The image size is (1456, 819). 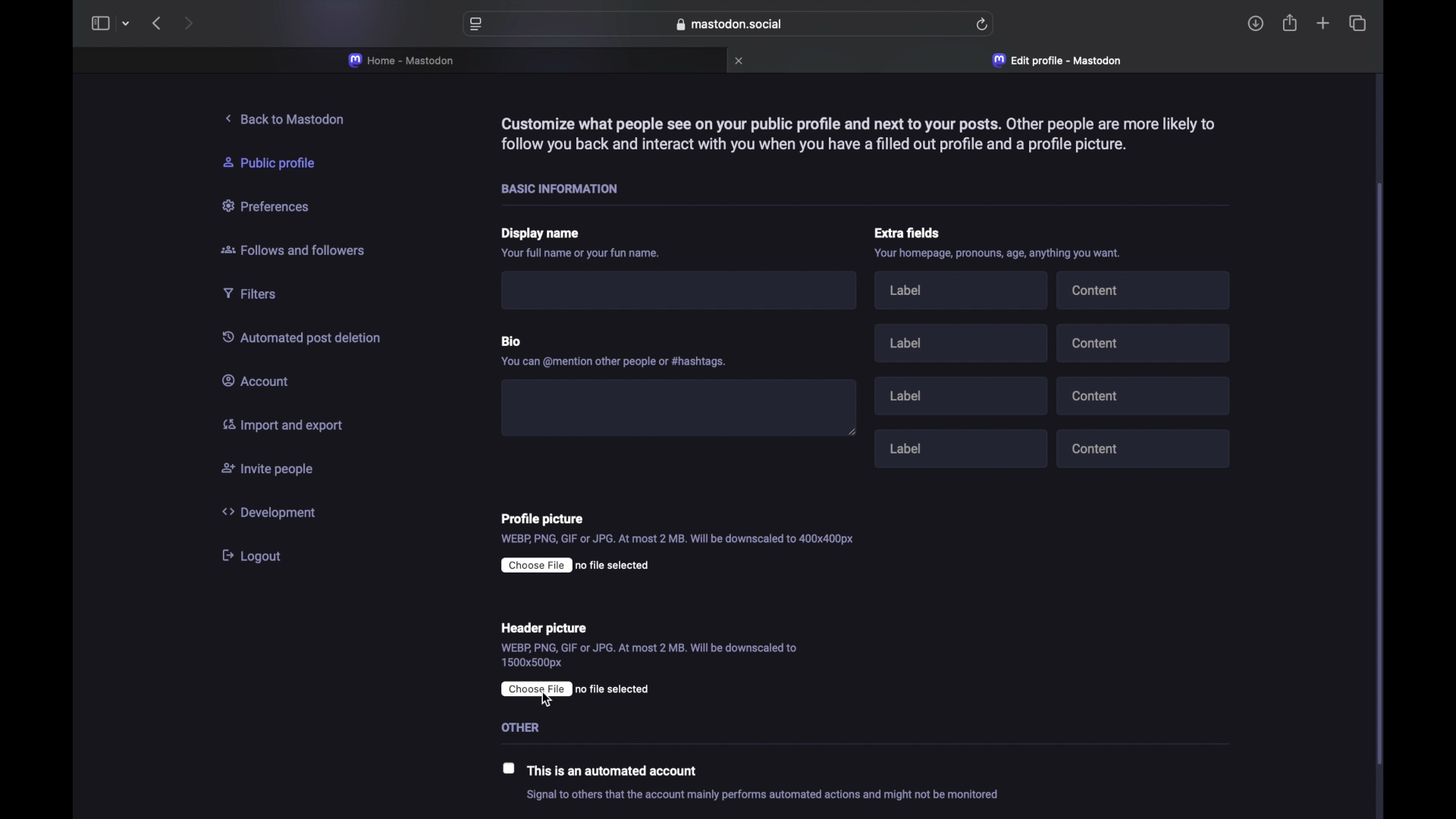 What do you see at coordinates (289, 119) in the screenshot?
I see `back to mastodon` at bounding box center [289, 119].